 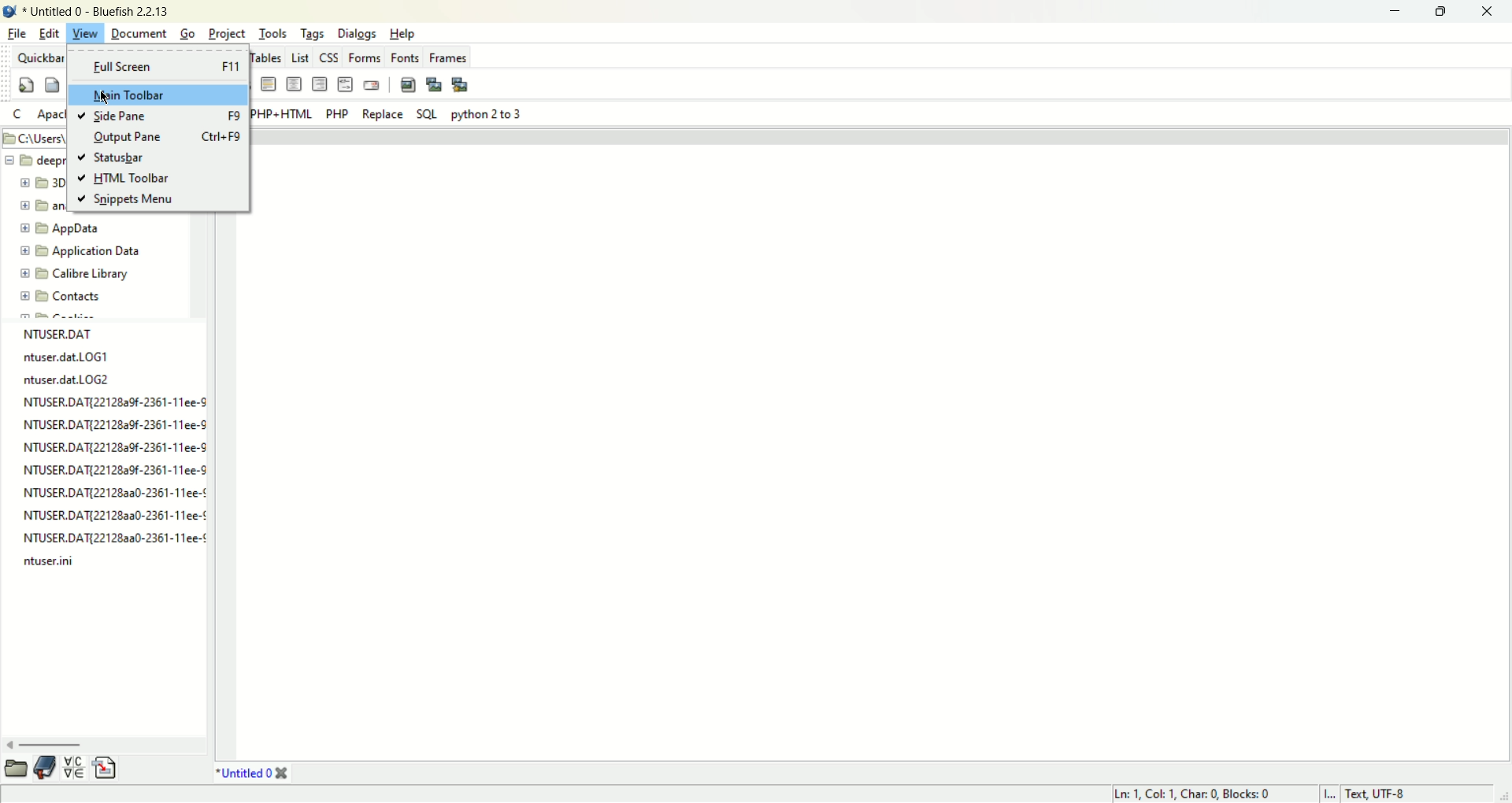 What do you see at coordinates (405, 57) in the screenshot?
I see `fonts` at bounding box center [405, 57].